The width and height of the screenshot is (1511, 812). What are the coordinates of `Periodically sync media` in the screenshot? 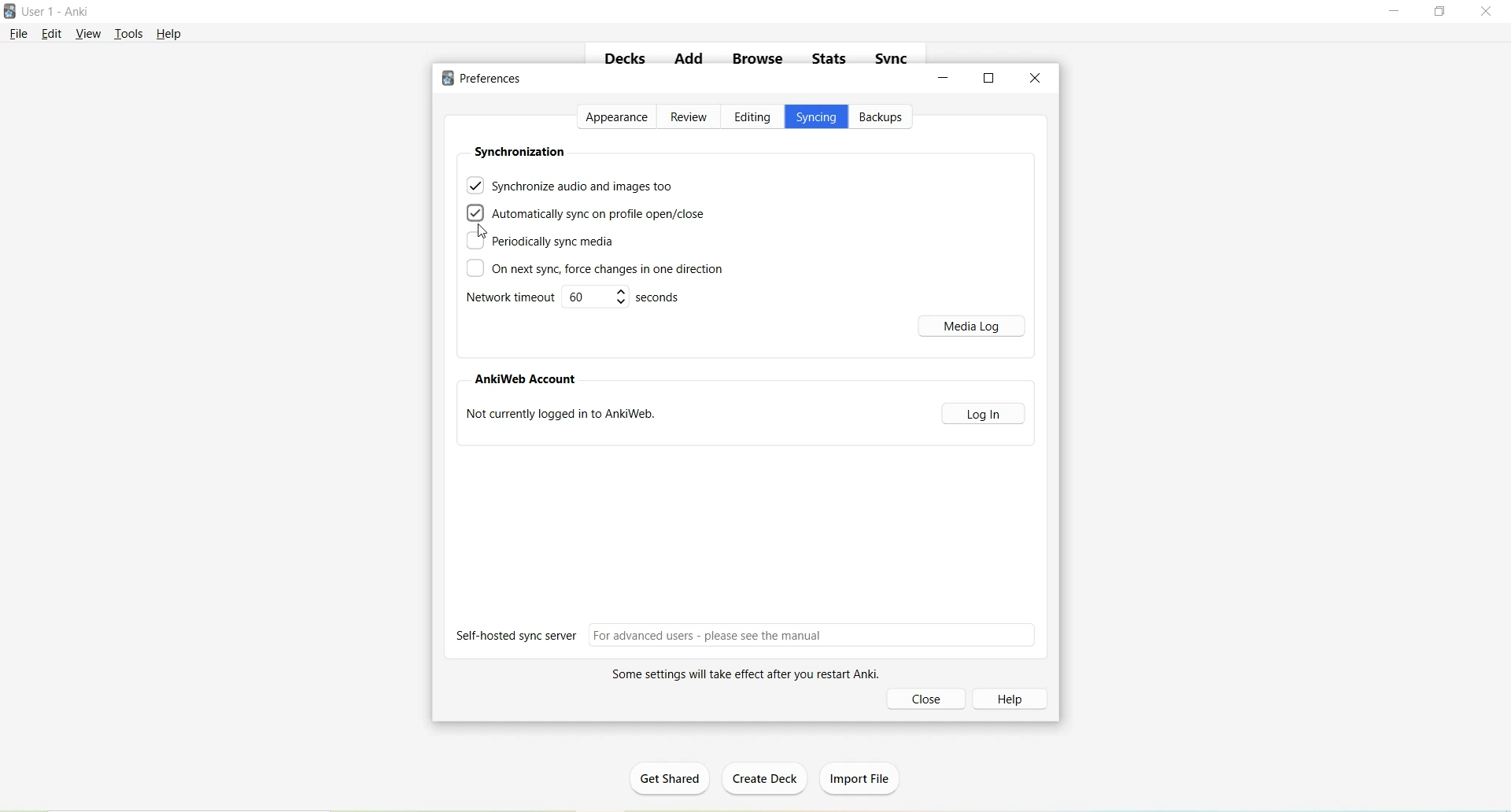 It's located at (540, 242).